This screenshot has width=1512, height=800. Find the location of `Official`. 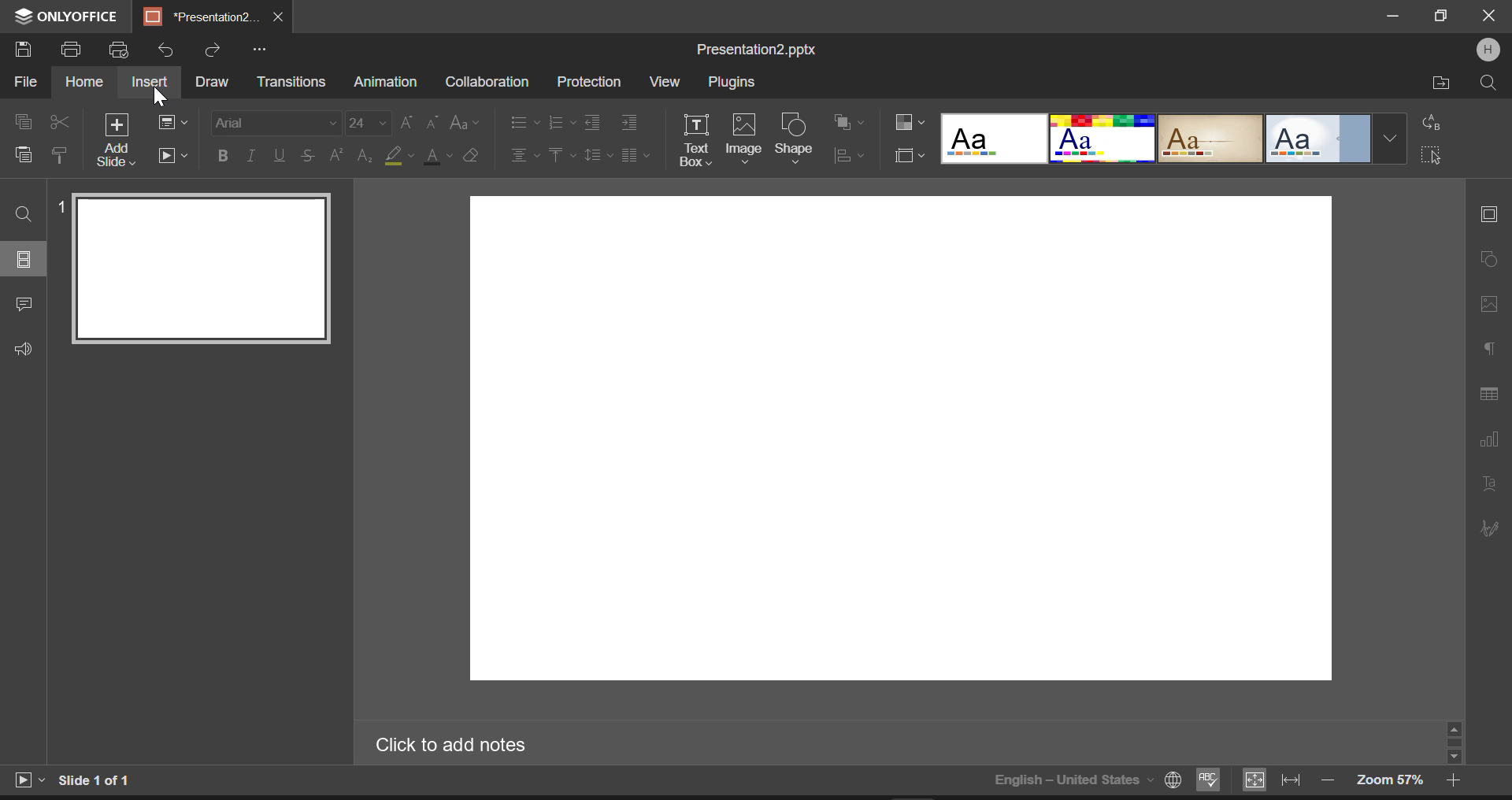

Official is located at coordinates (1317, 140).